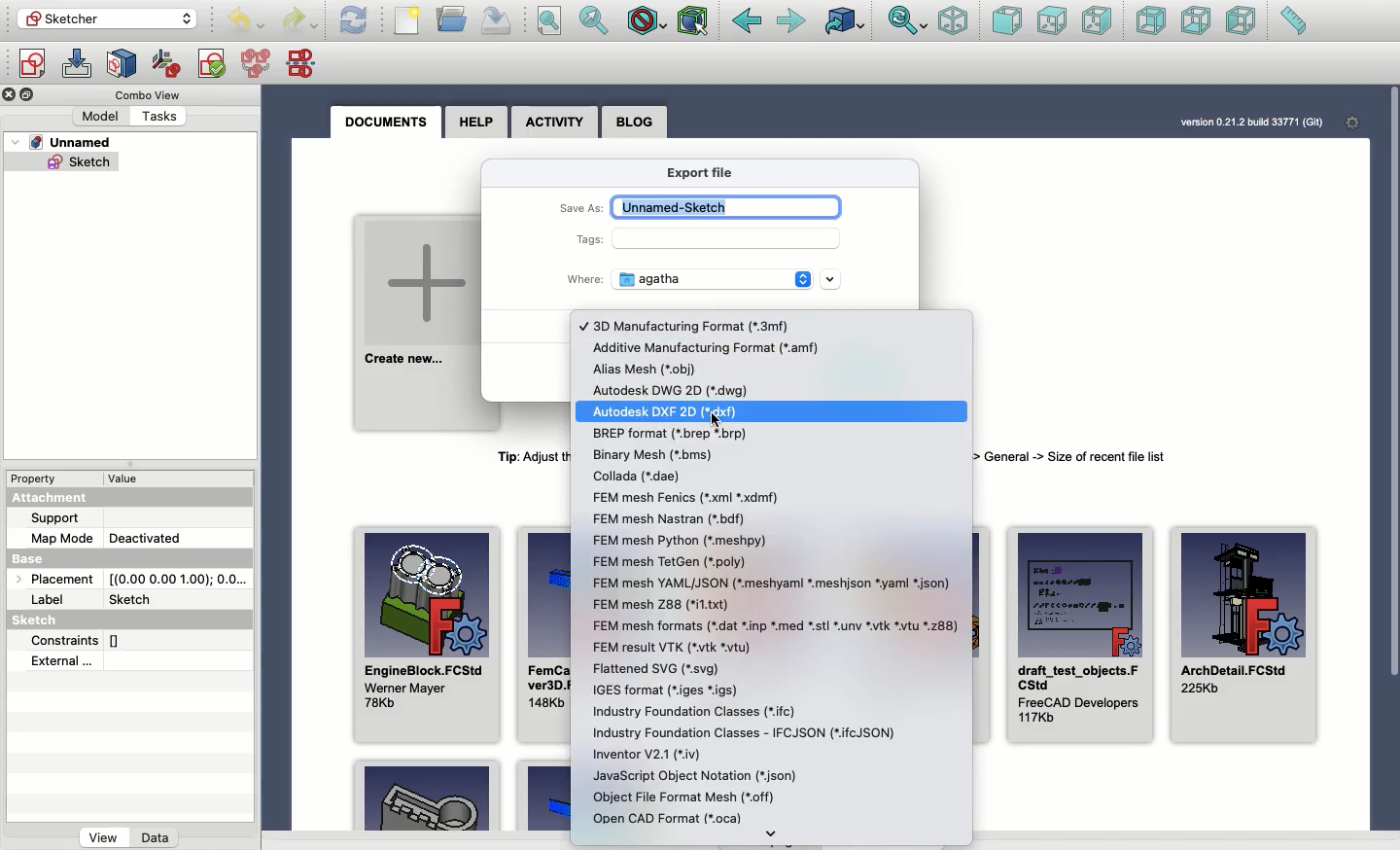 This screenshot has width=1400, height=850. Describe the element at coordinates (65, 144) in the screenshot. I see `Unnamed` at that location.